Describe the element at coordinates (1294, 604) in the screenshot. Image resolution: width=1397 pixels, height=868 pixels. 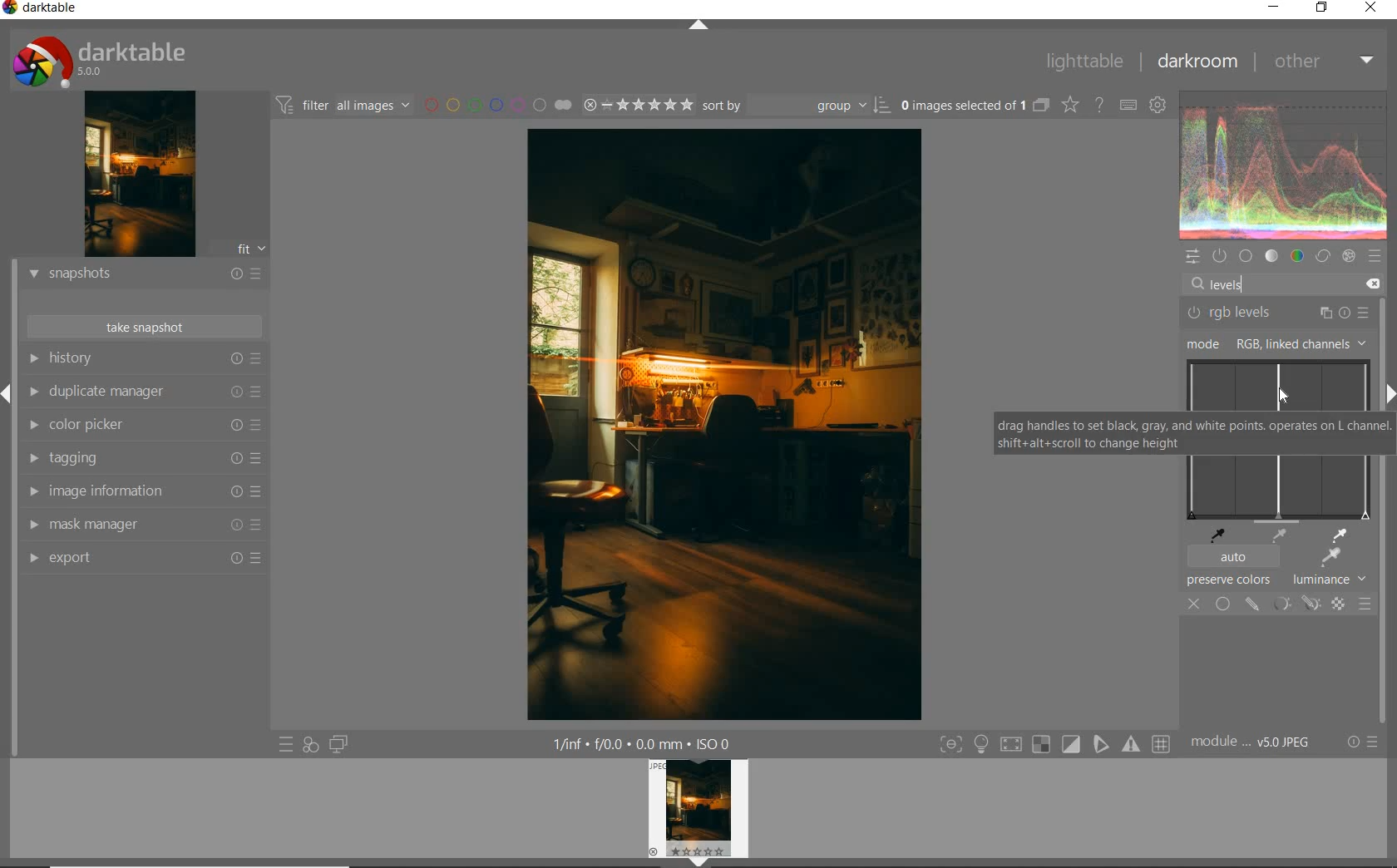
I see `mask options` at that location.